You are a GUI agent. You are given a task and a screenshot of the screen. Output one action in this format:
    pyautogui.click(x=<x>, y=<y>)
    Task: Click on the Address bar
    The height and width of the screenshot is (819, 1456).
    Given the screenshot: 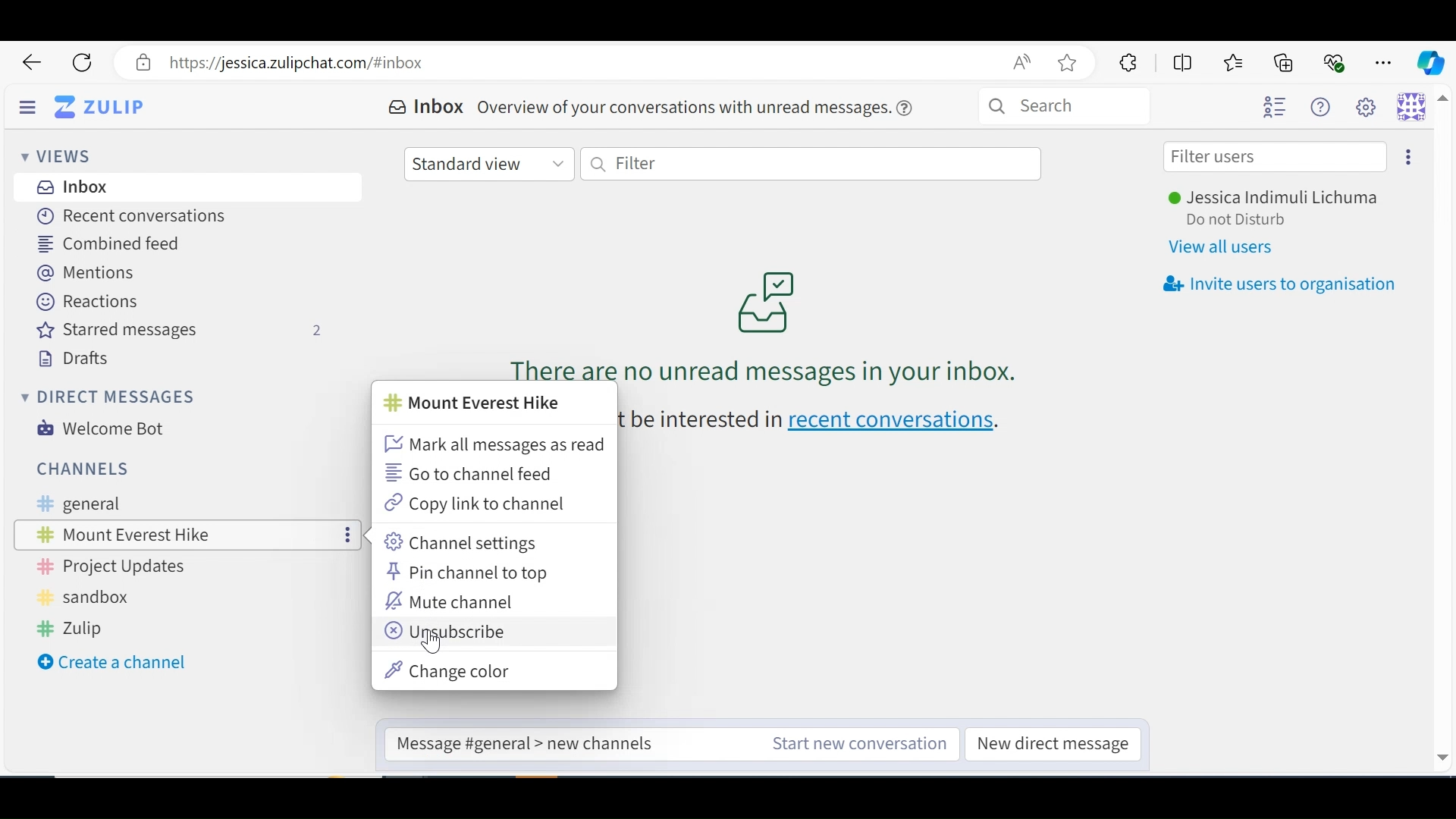 What is the action you would take?
    pyautogui.click(x=580, y=63)
    